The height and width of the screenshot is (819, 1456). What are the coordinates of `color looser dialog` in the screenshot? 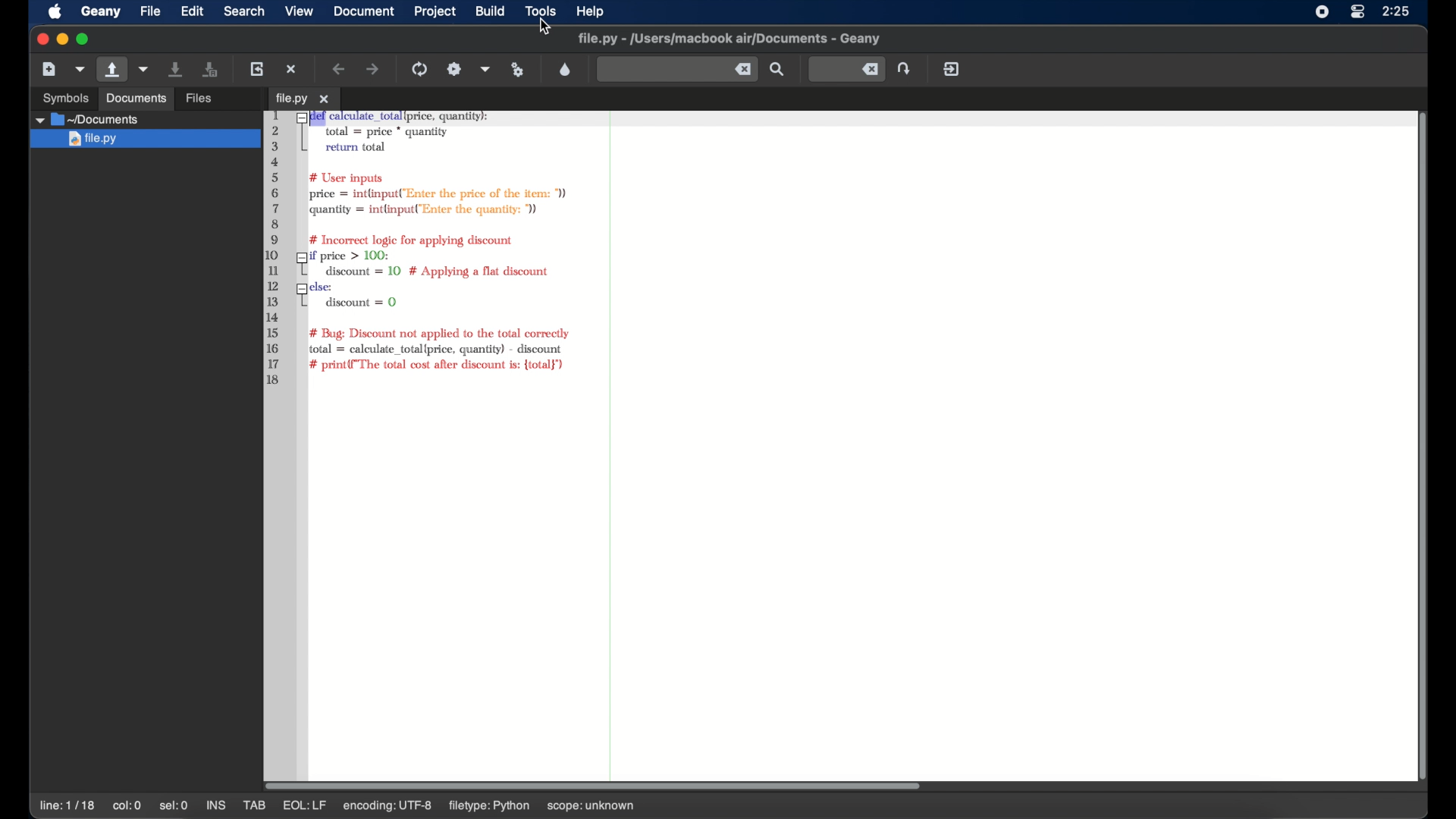 It's located at (566, 68).